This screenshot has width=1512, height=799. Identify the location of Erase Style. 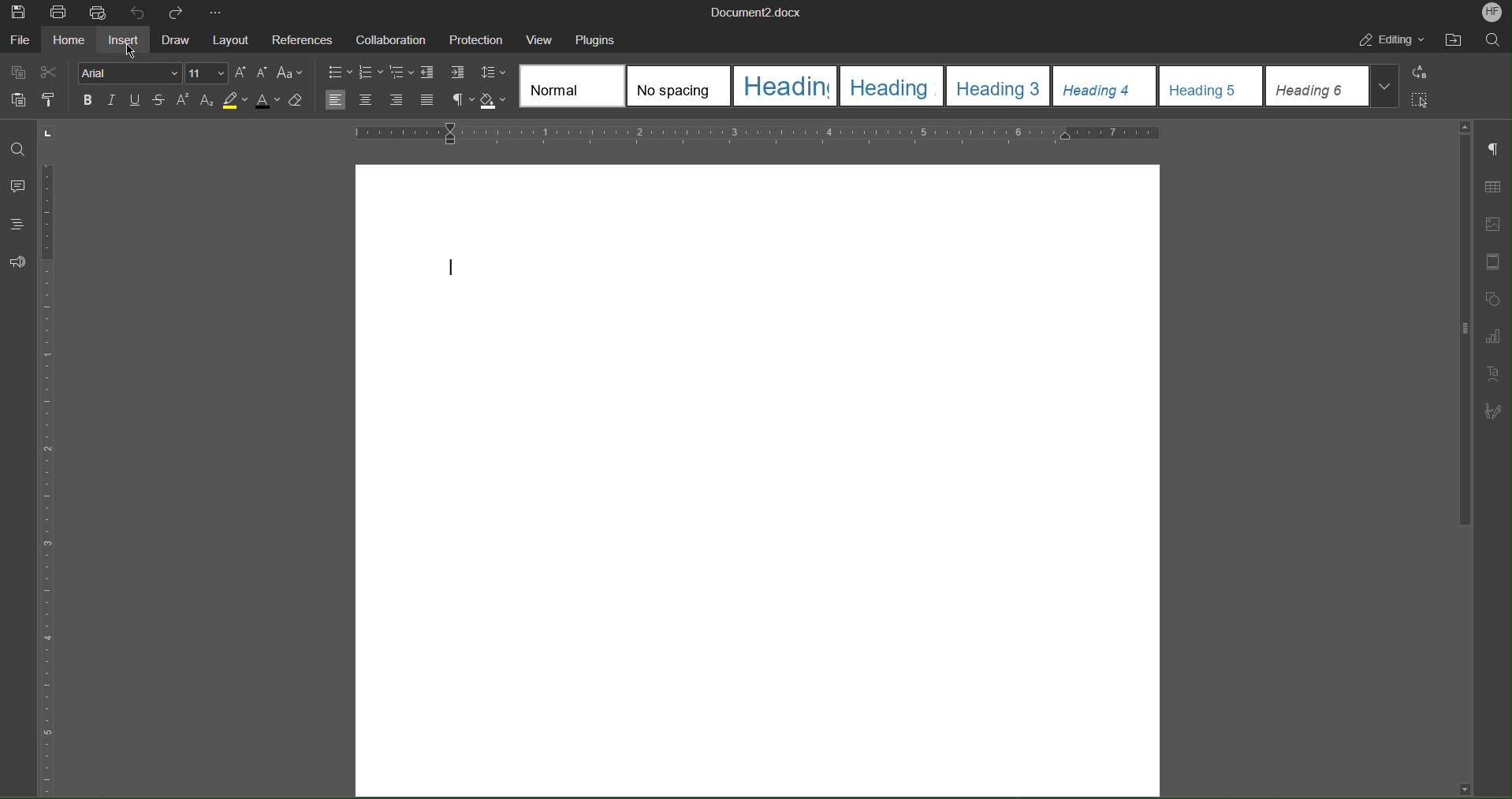
(295, 100).